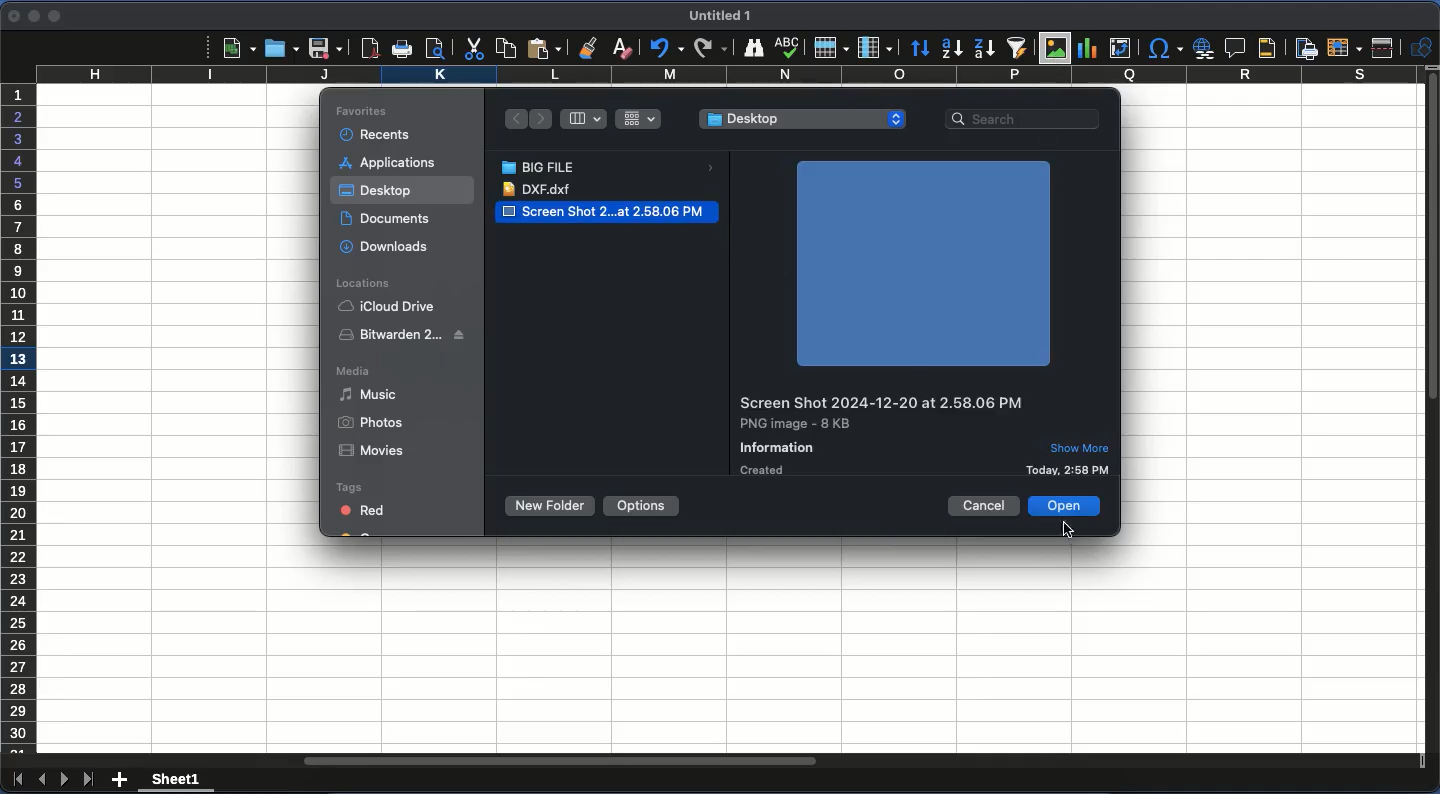  Describe the element at coordinates (665, 49) in the screenshot. I see `undo` at that location.